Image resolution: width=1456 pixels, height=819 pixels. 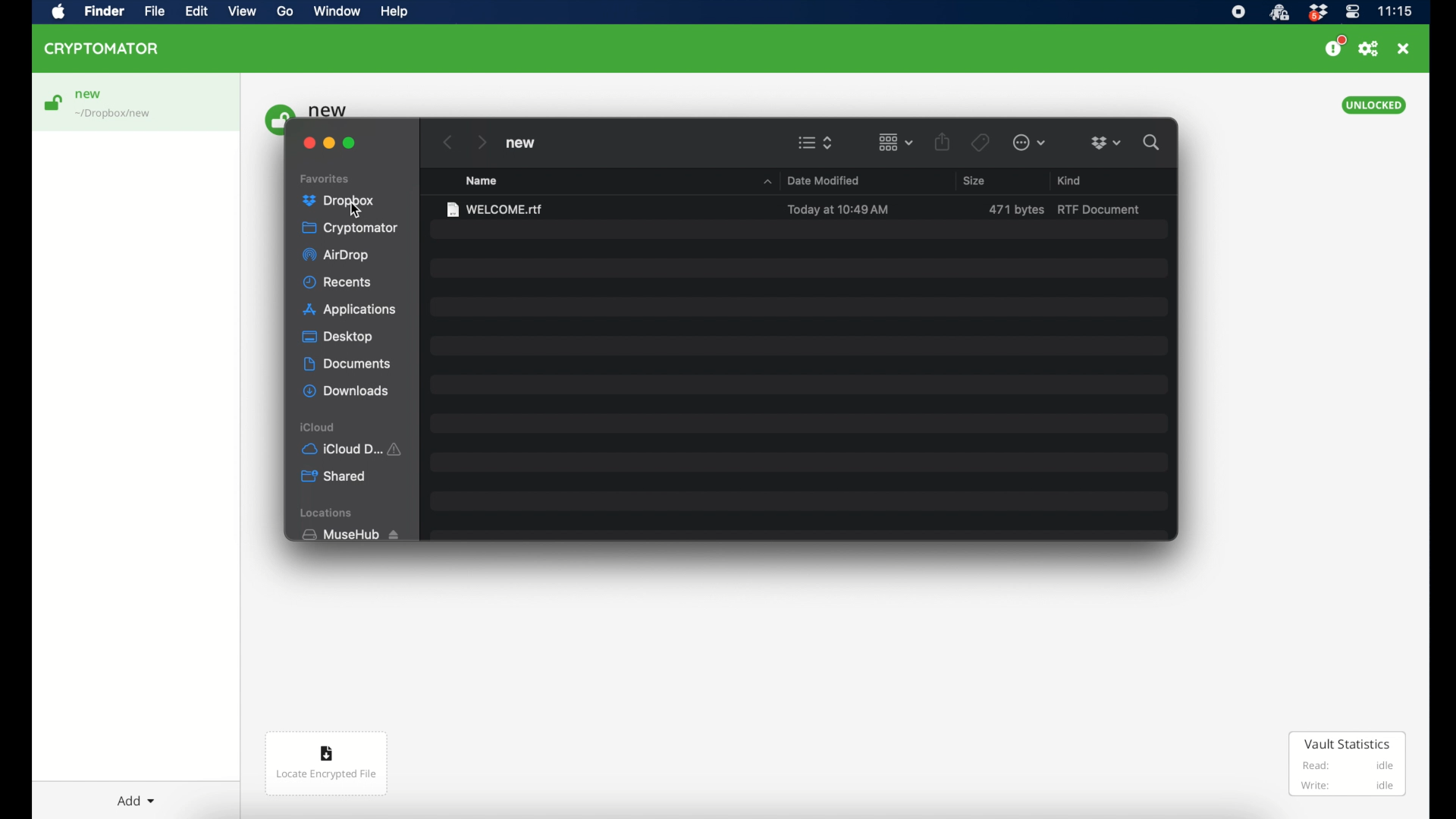 What do you see at coordinates (495, 210) in the screenshot?
I see `file name` at bounding box center [495, 210].